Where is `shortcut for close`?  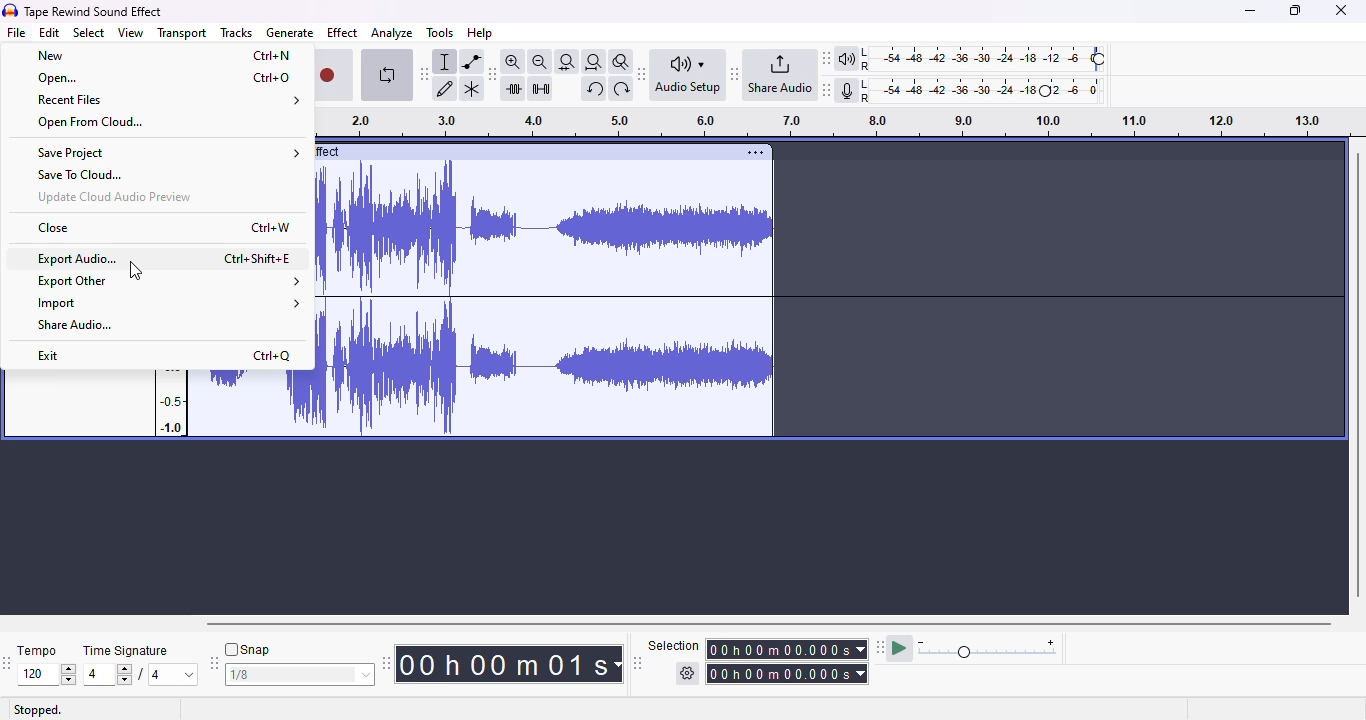 shortcut for close is located at coordinates (271, 227).